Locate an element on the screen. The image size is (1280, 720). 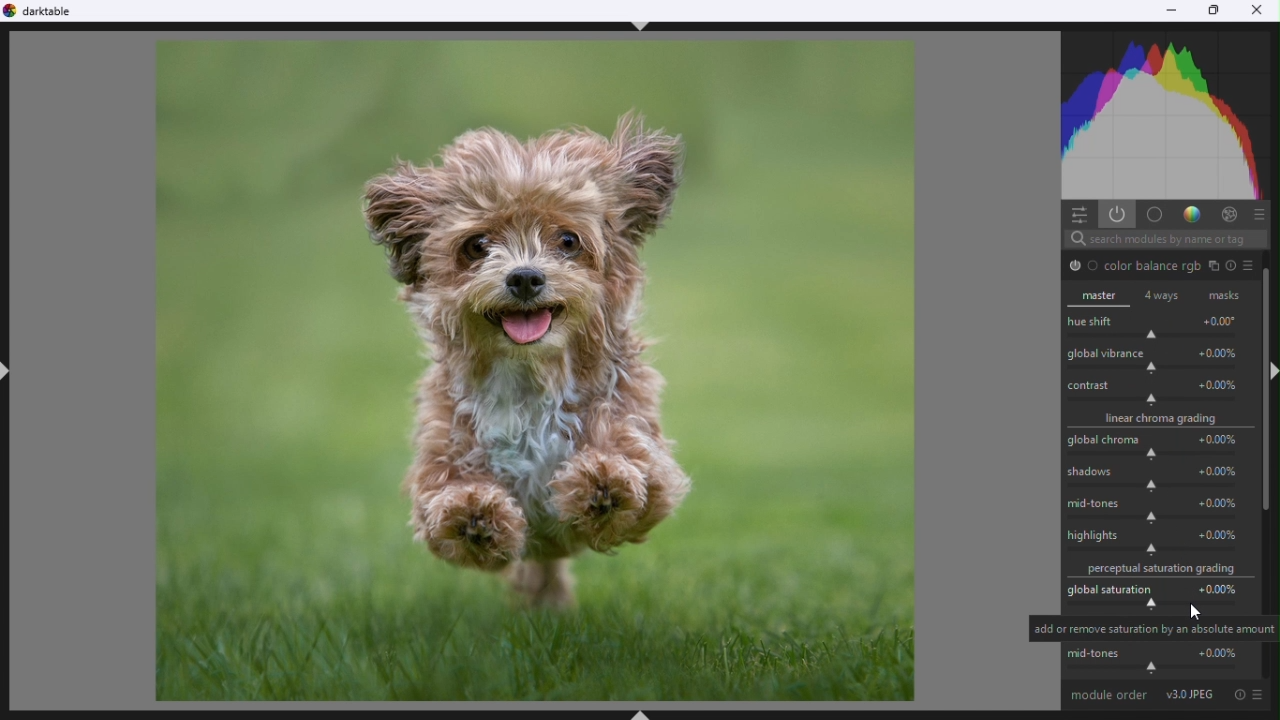
Text text is located at coordinates (1149, 630).